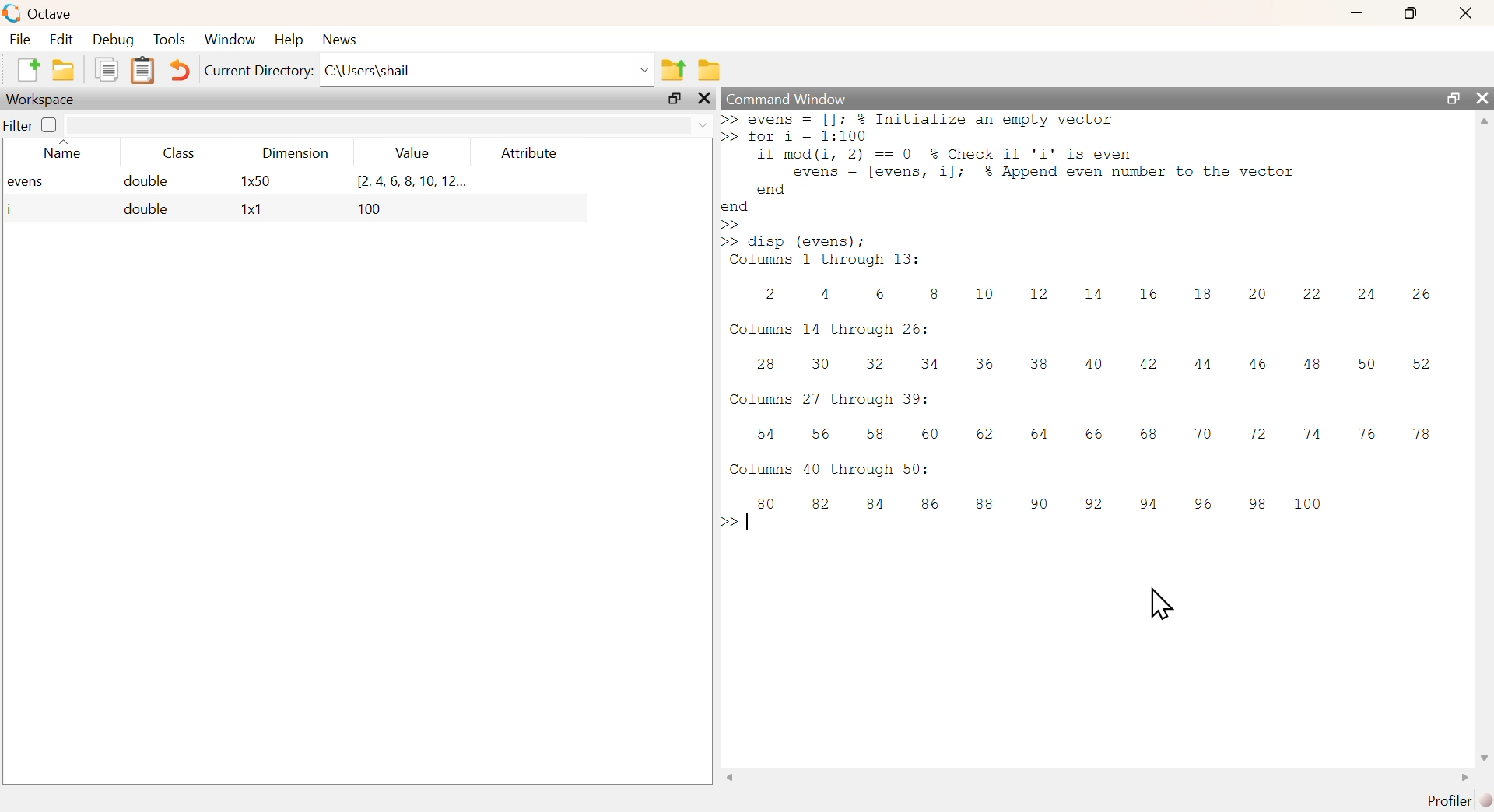 The image size is (1494, 812). What do you see at coordinates (412, 181) in the screenshot?
I see `[2.4,6,8,10, 12...` at bounding box center [412, 181].